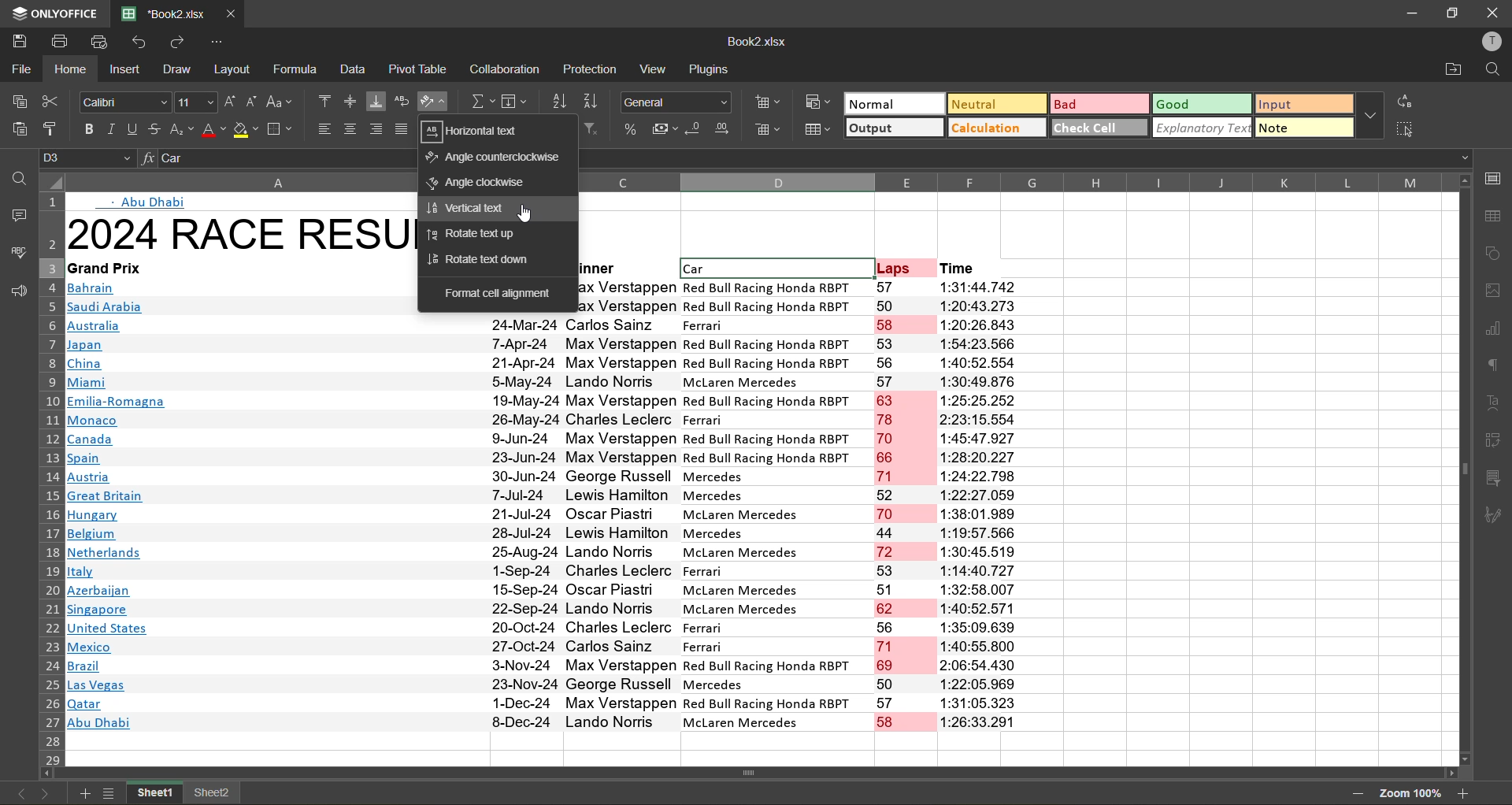  Describe the element at coordinates (55, 482) in the screenshot. I see `row numbers` at that location.